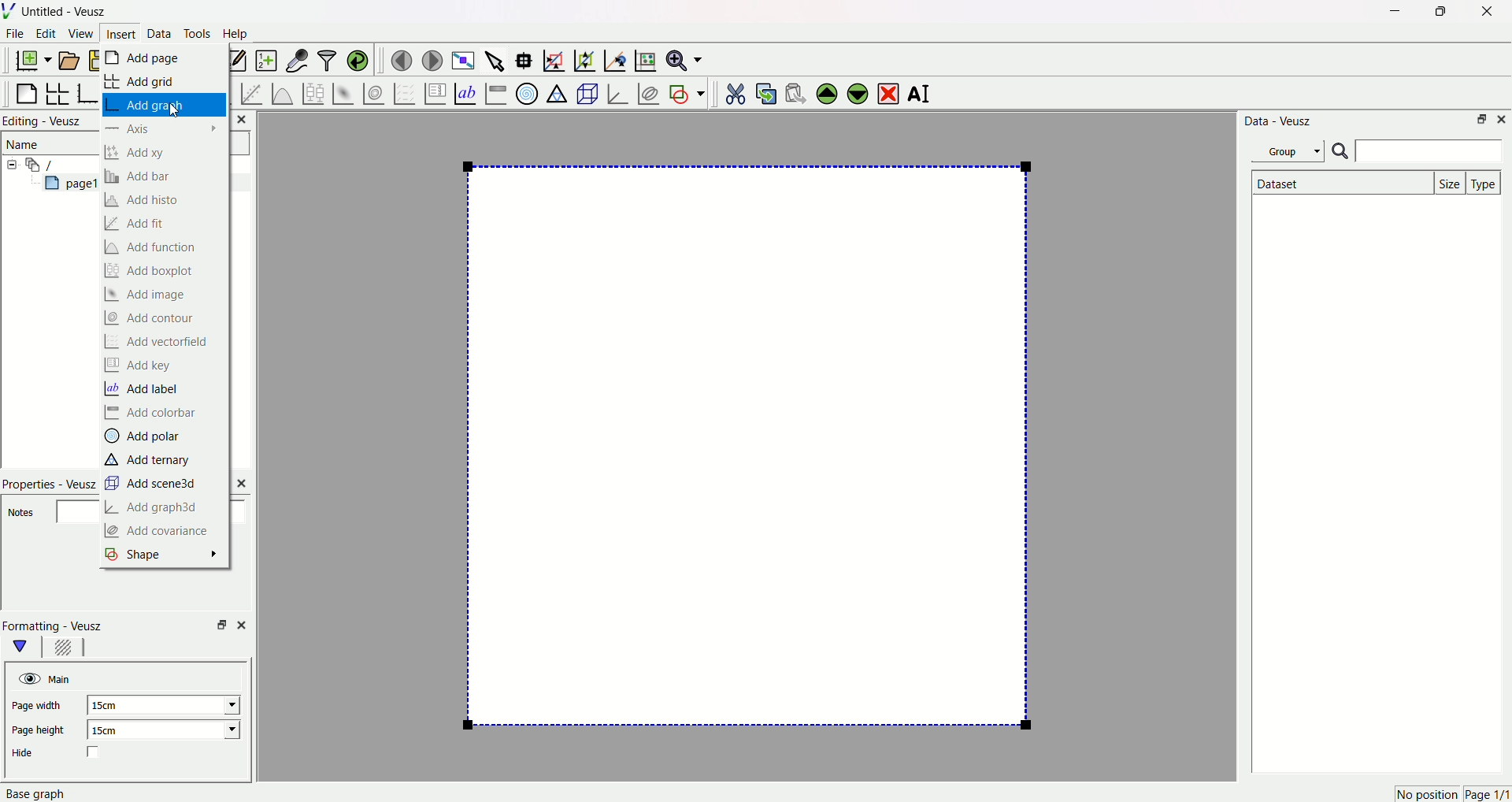 This screenshot has height=802, width=1512. Describe the element at coordinates (556, 91) in the screenshot. I see `ternary graphs` at that location.